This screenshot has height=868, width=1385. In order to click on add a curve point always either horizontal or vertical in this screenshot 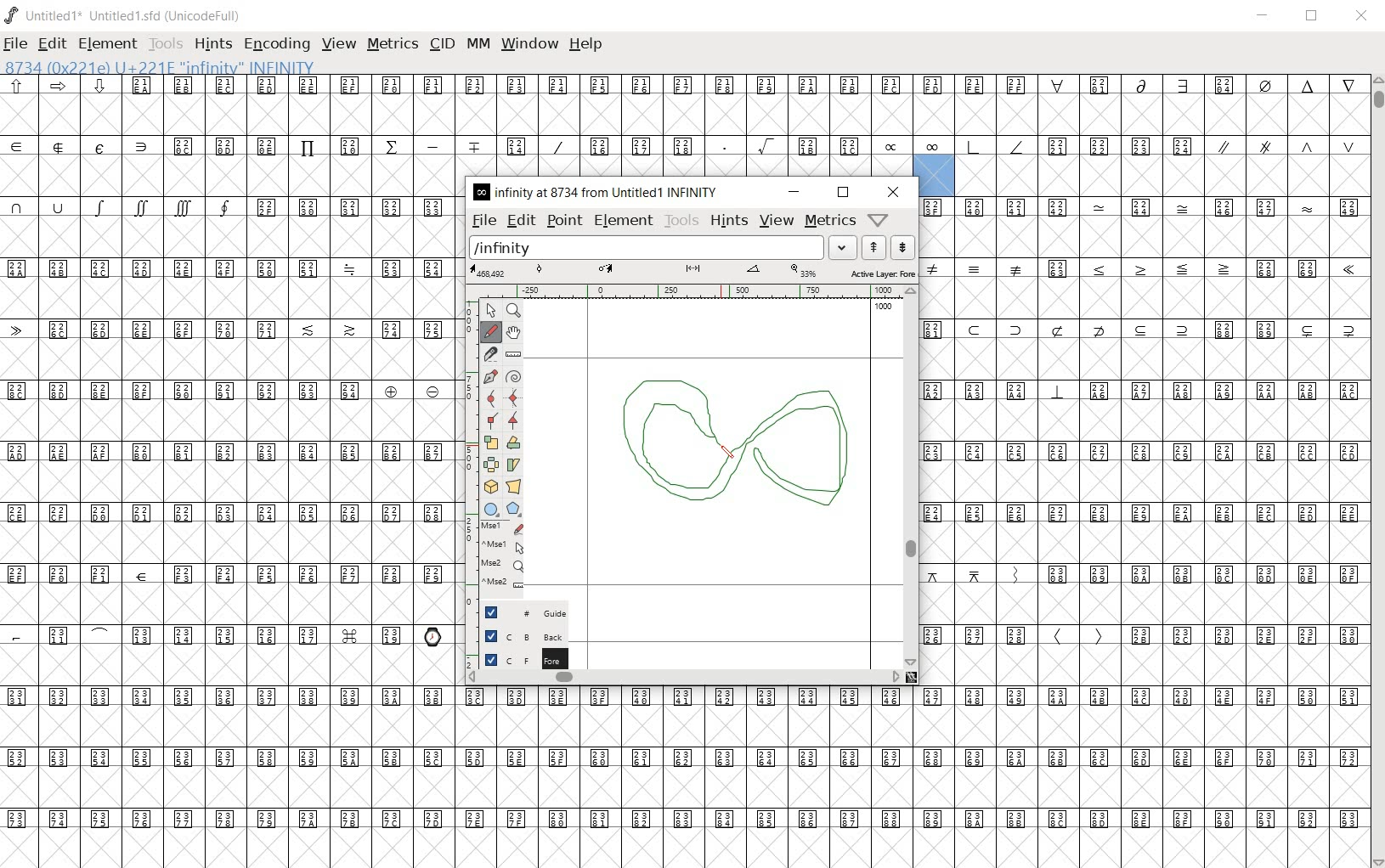, I will do `click(512, 397)`.